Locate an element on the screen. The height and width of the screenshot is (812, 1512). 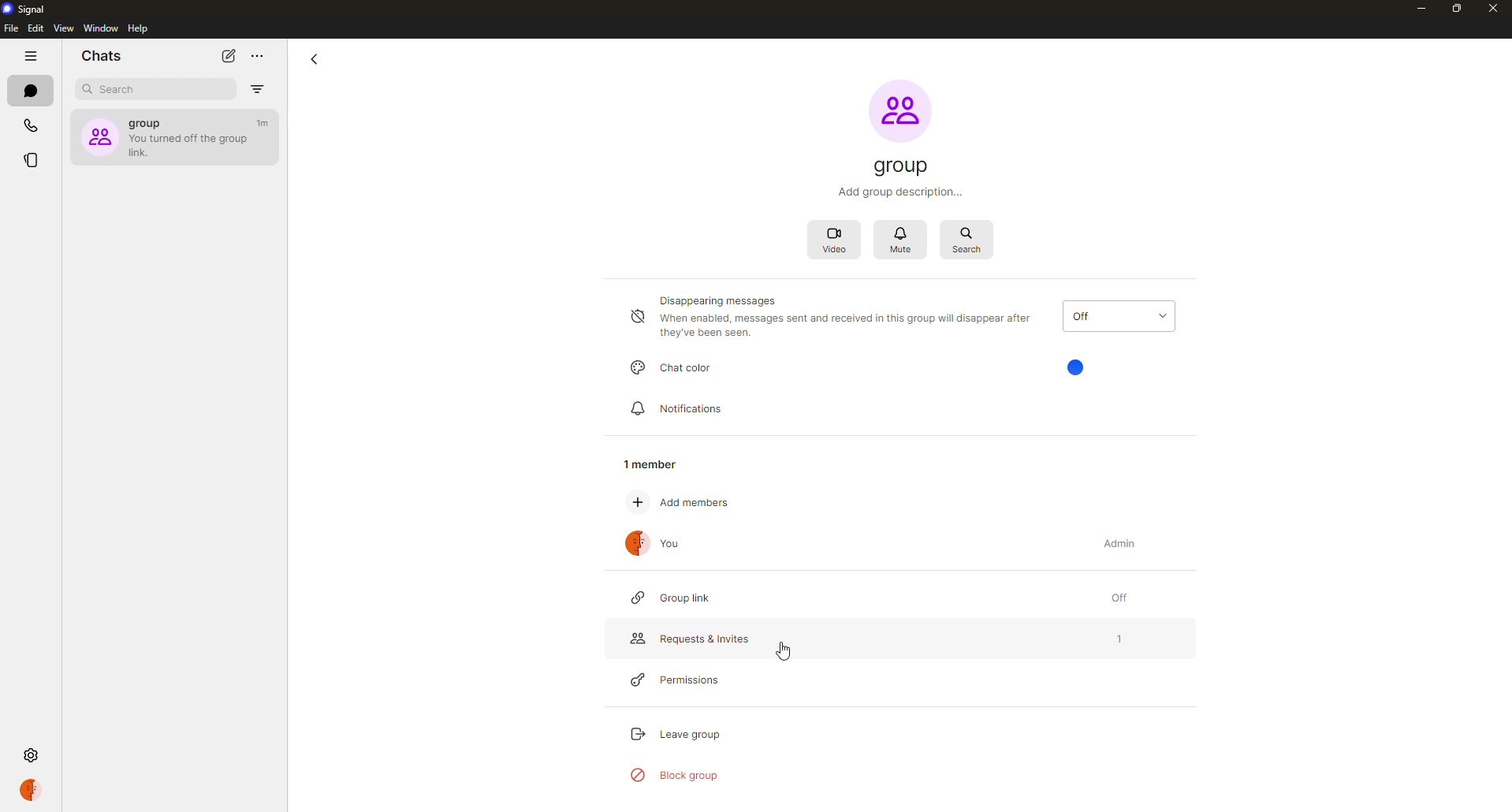
add description is located at coordinates (900, 192).